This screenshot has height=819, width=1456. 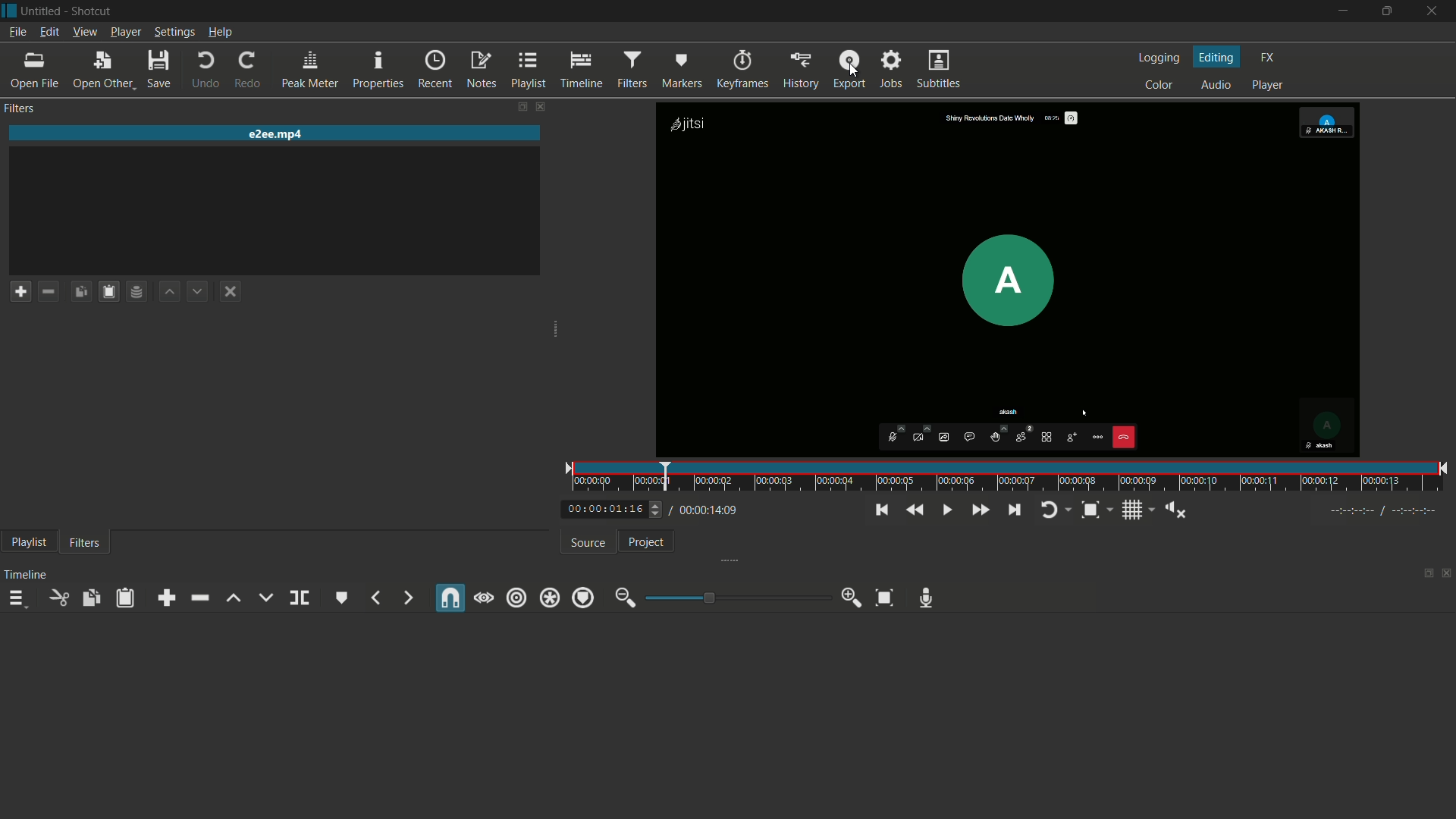 I want to click on cursor, so click(x=854, y=76).